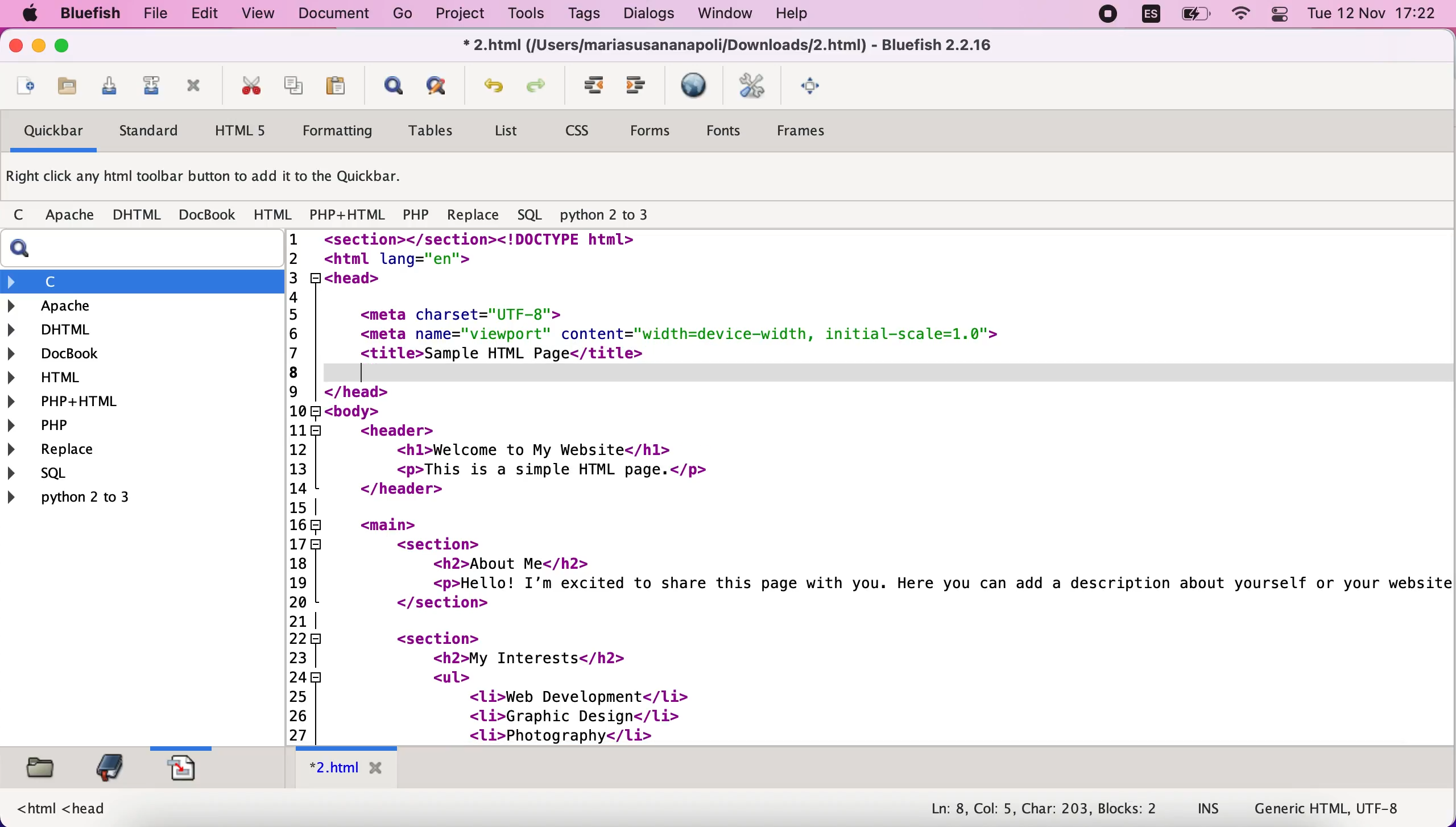 The width and height of the screenshot is (1456, 827). What do you see at coordinates (529, 16) in the screenshot?
I see `tools` at bounding box center [529, 16].